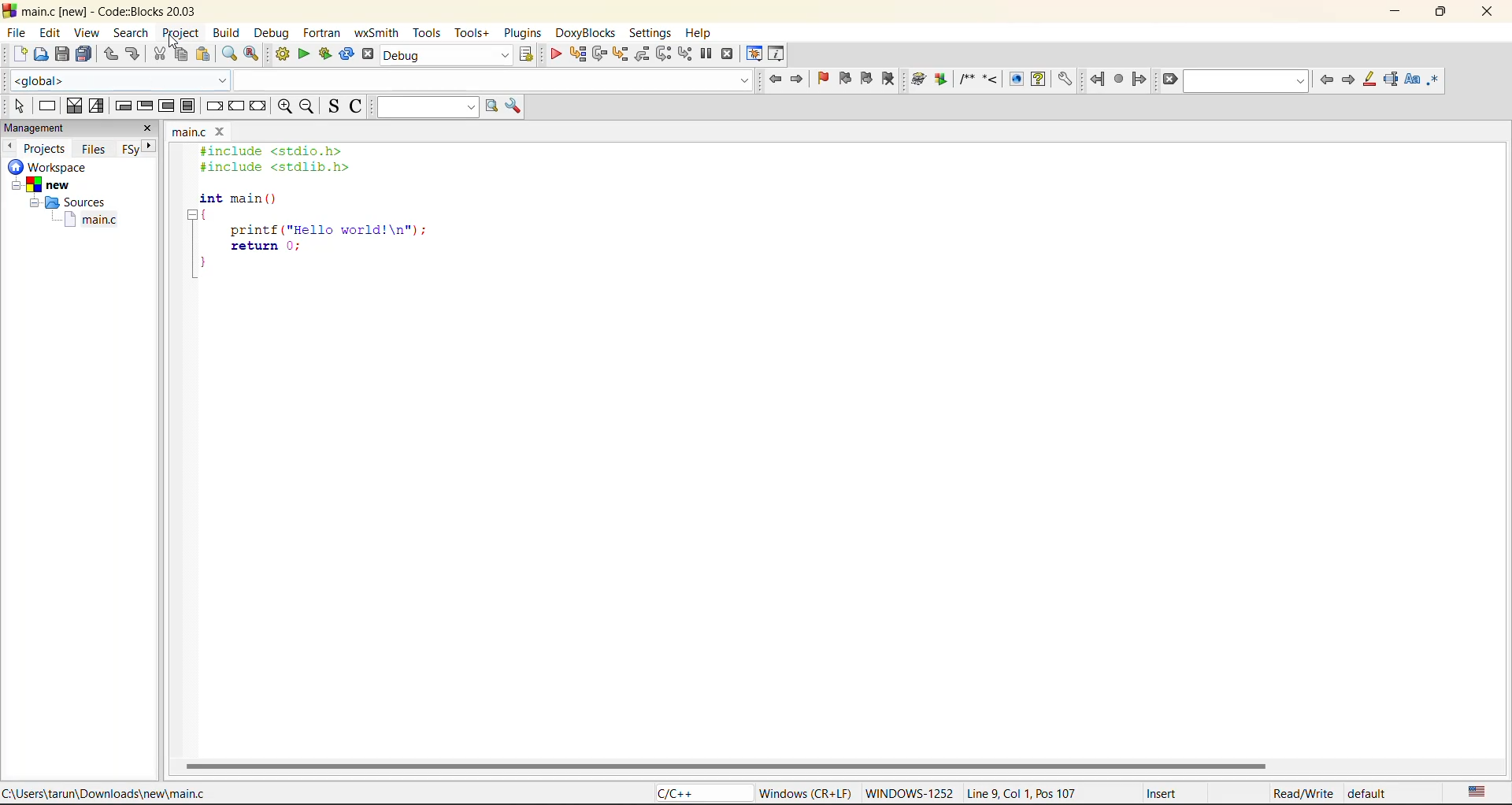 The image size is (1512, 805). What do you see at coordinates (1301, 792) in the screenshot?
I see `Read/Write` at bounding box center [1301, 792].